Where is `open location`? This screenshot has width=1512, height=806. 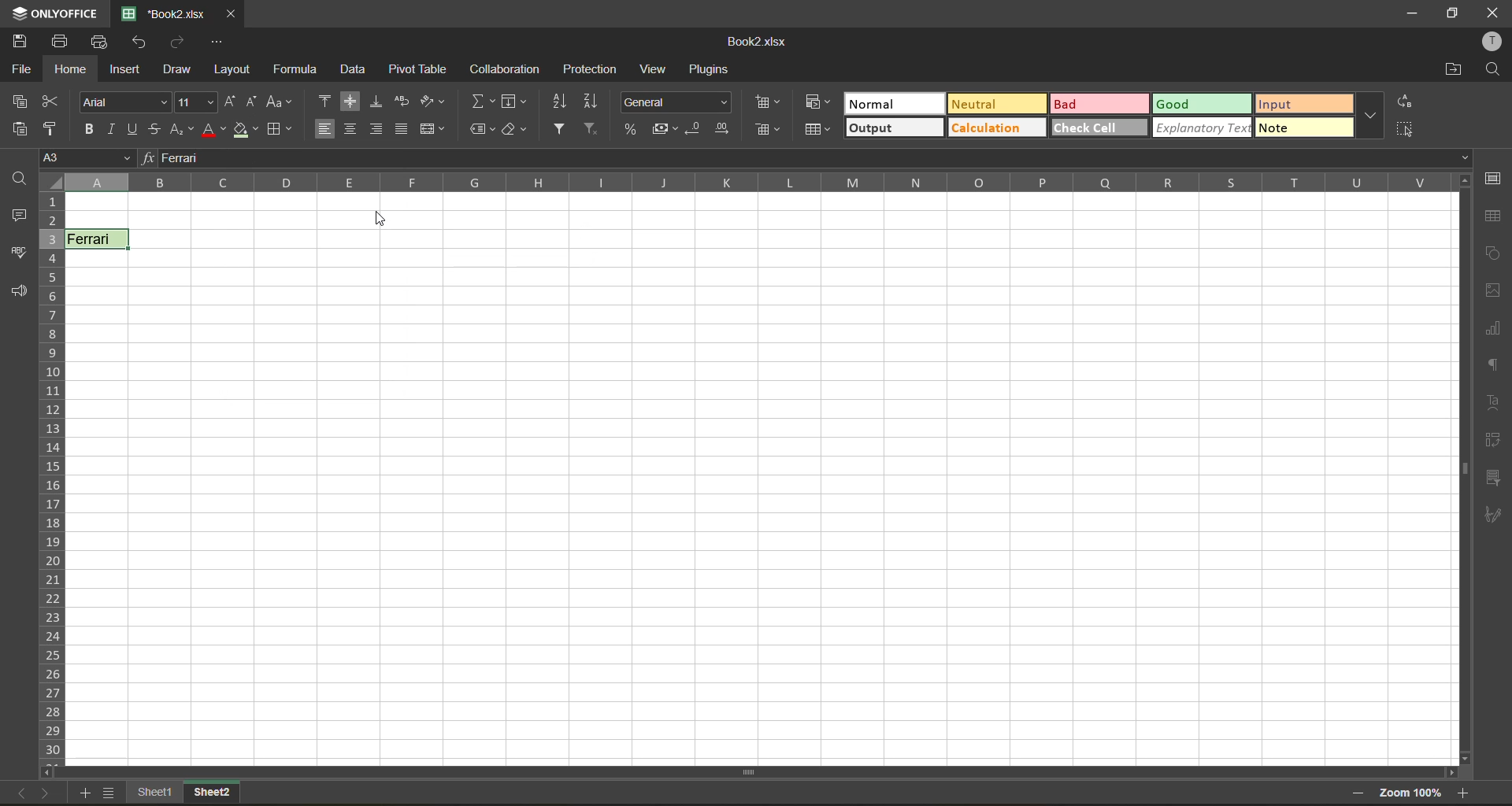
open location is located at coordinates (1448, 70).